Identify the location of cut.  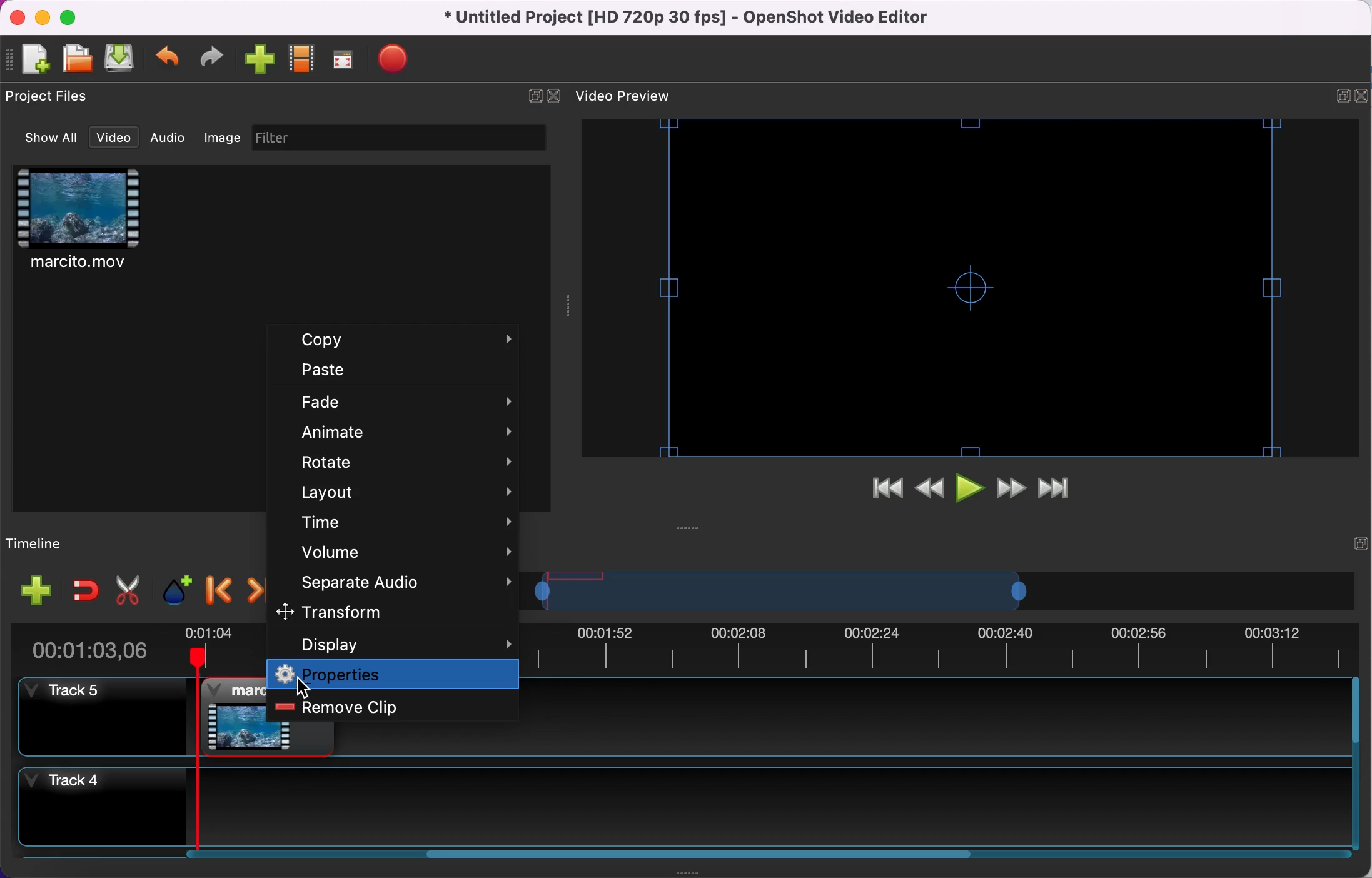
(127, 590).